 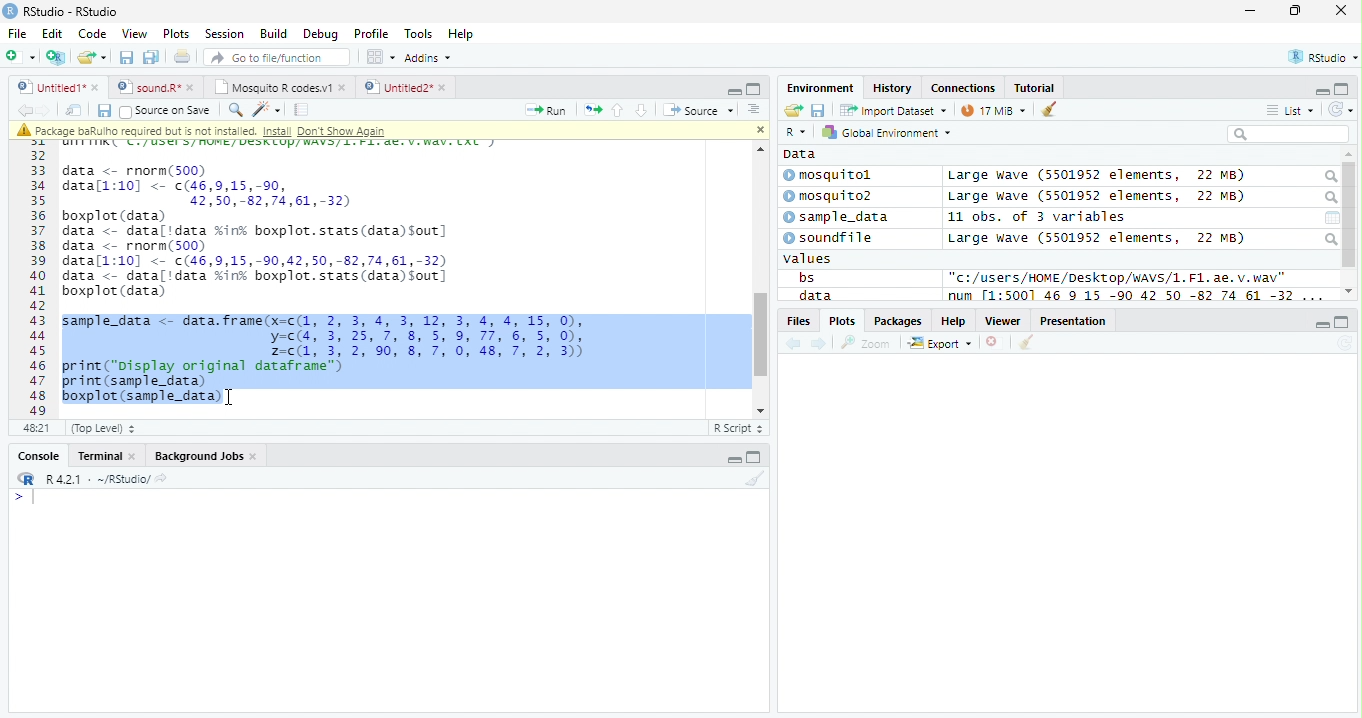 I want to click on open an existing file, so click(x=92, y=57).